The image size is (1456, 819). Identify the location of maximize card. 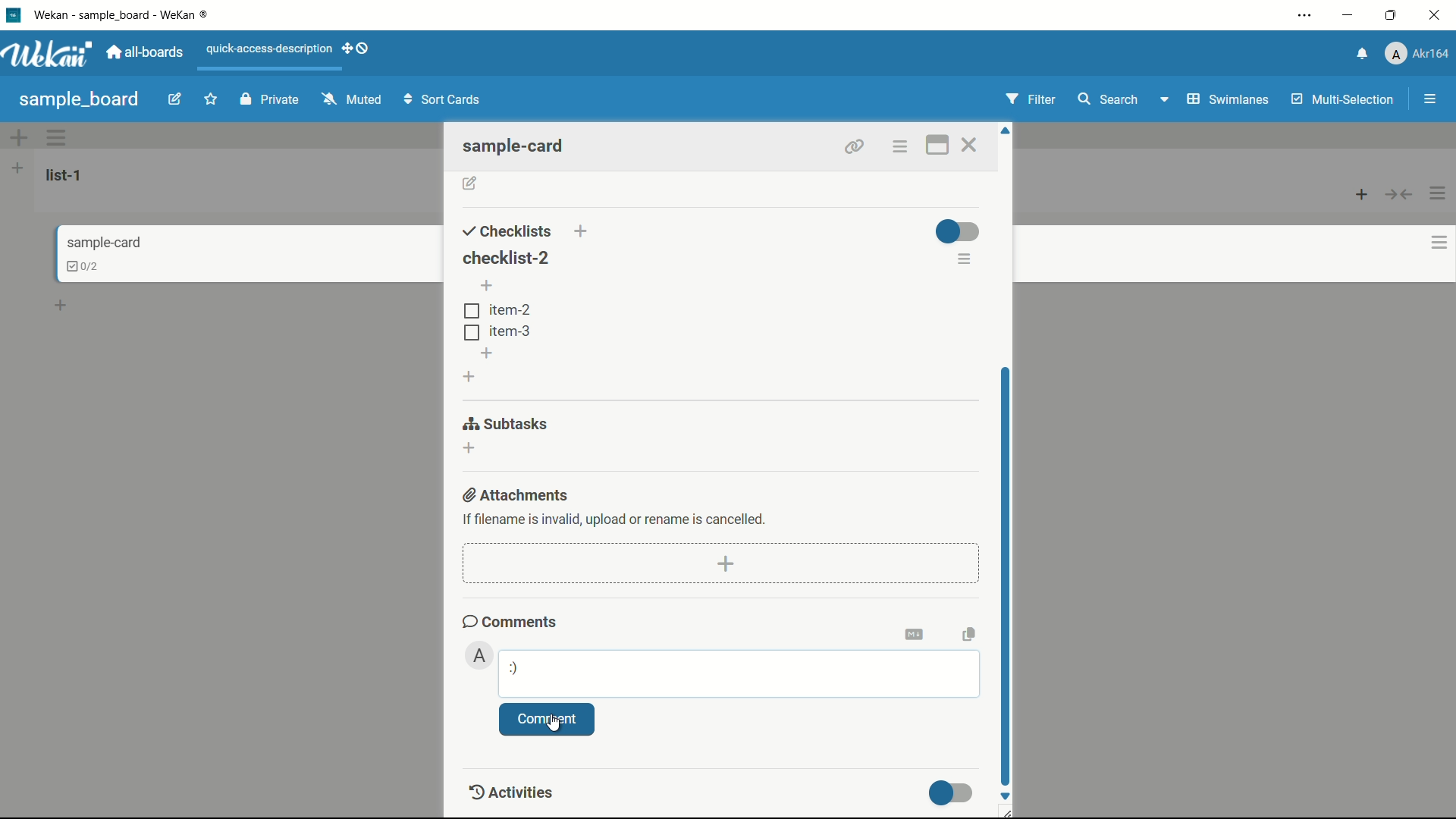
(936, 145).